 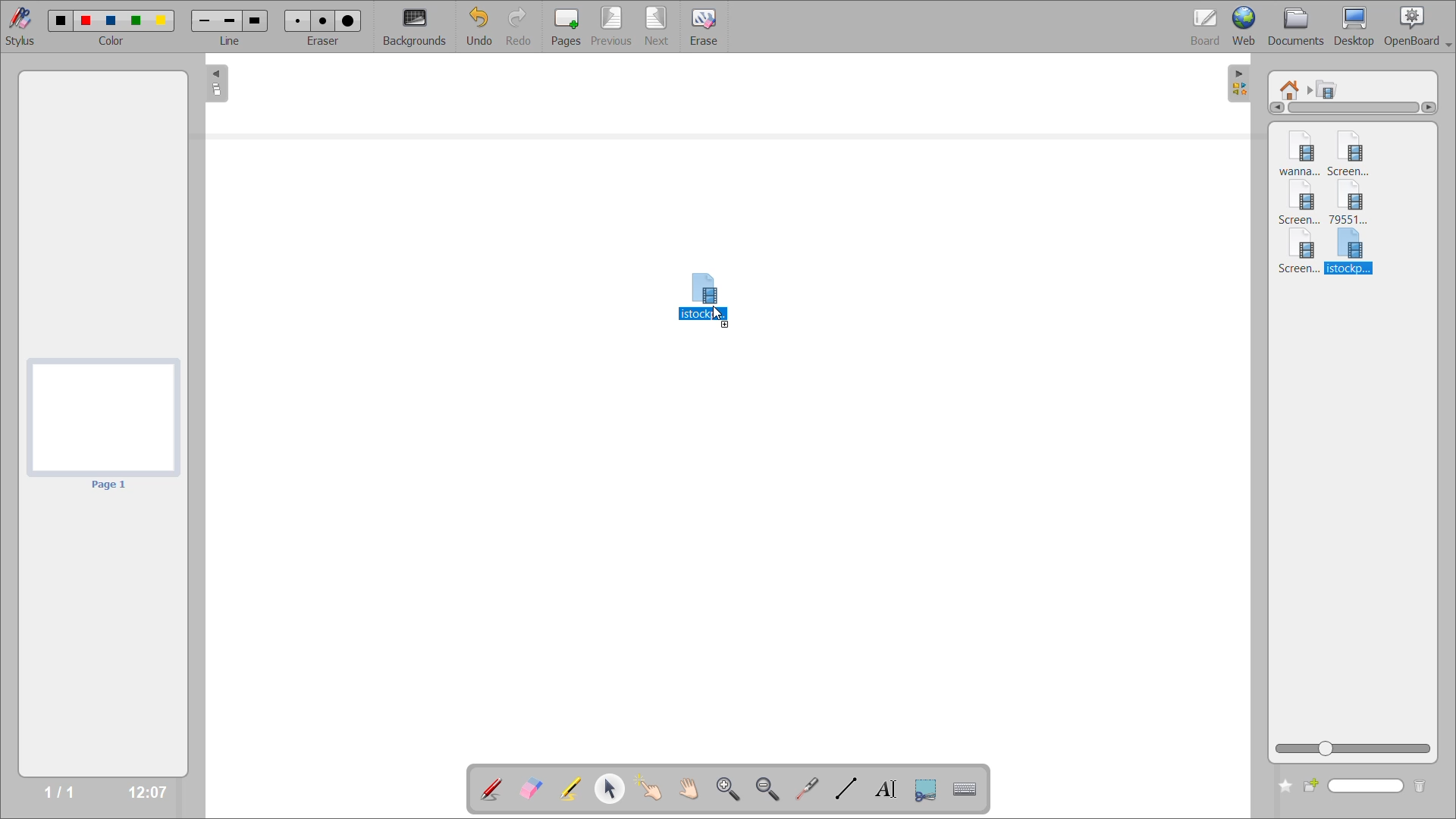 I want to click on erase, so click(x=705, y=28).